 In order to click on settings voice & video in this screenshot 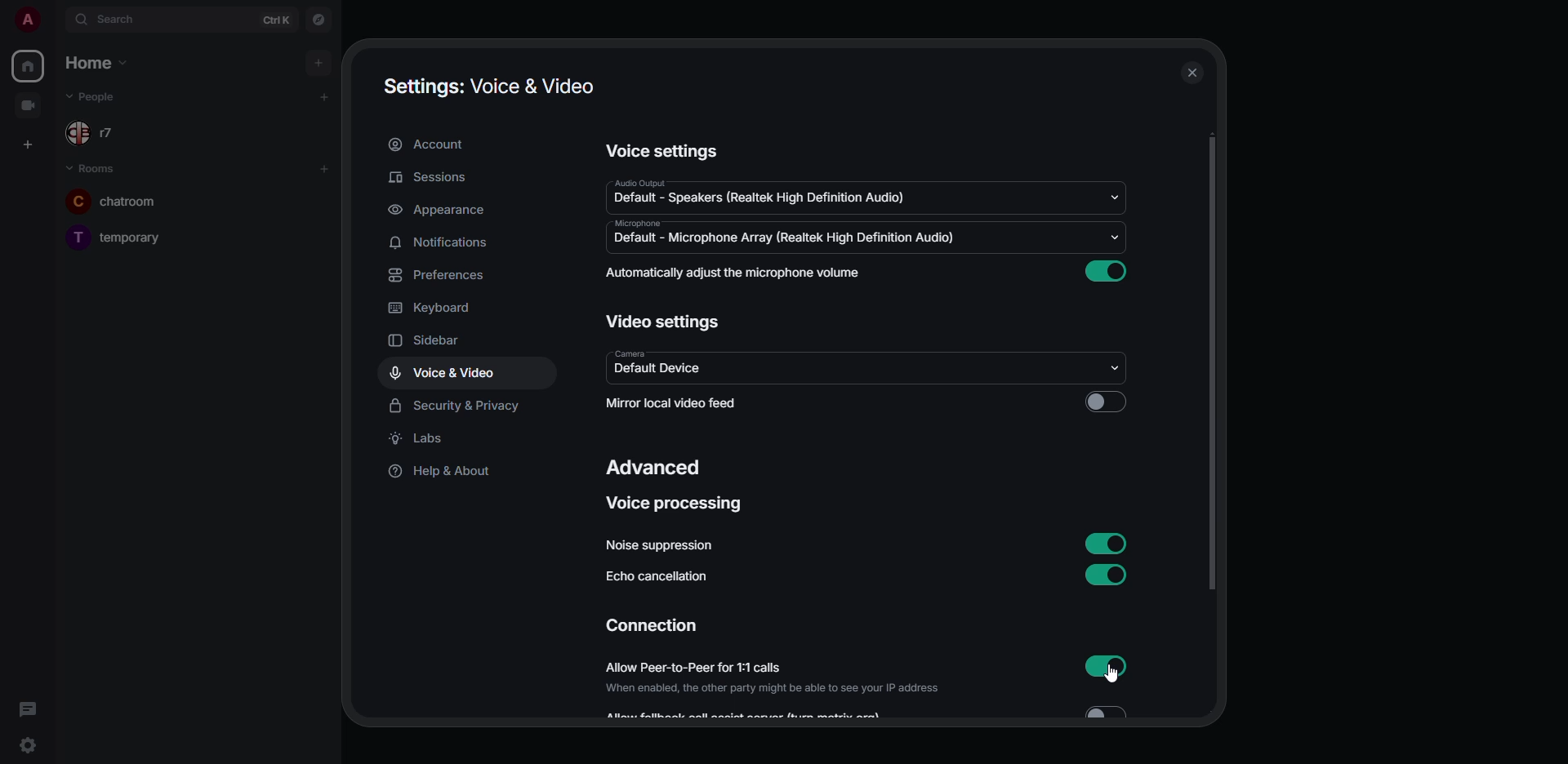, I will do `click(488, 87)`.